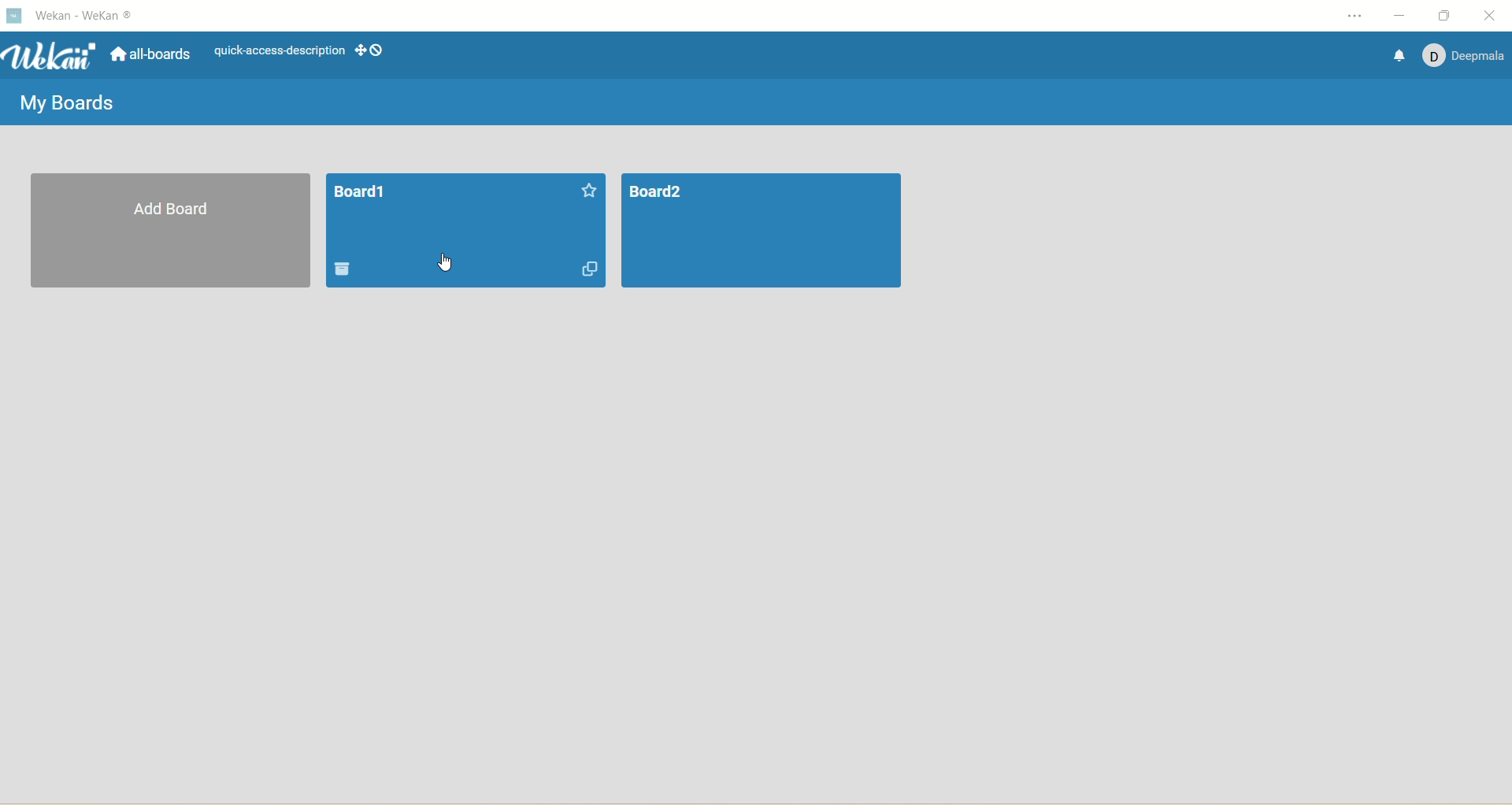 The height and width of the screenshot is (805, 1512). Describe the element at coordinates (52, 55) in the screenshot. I see `wekan` at that location.